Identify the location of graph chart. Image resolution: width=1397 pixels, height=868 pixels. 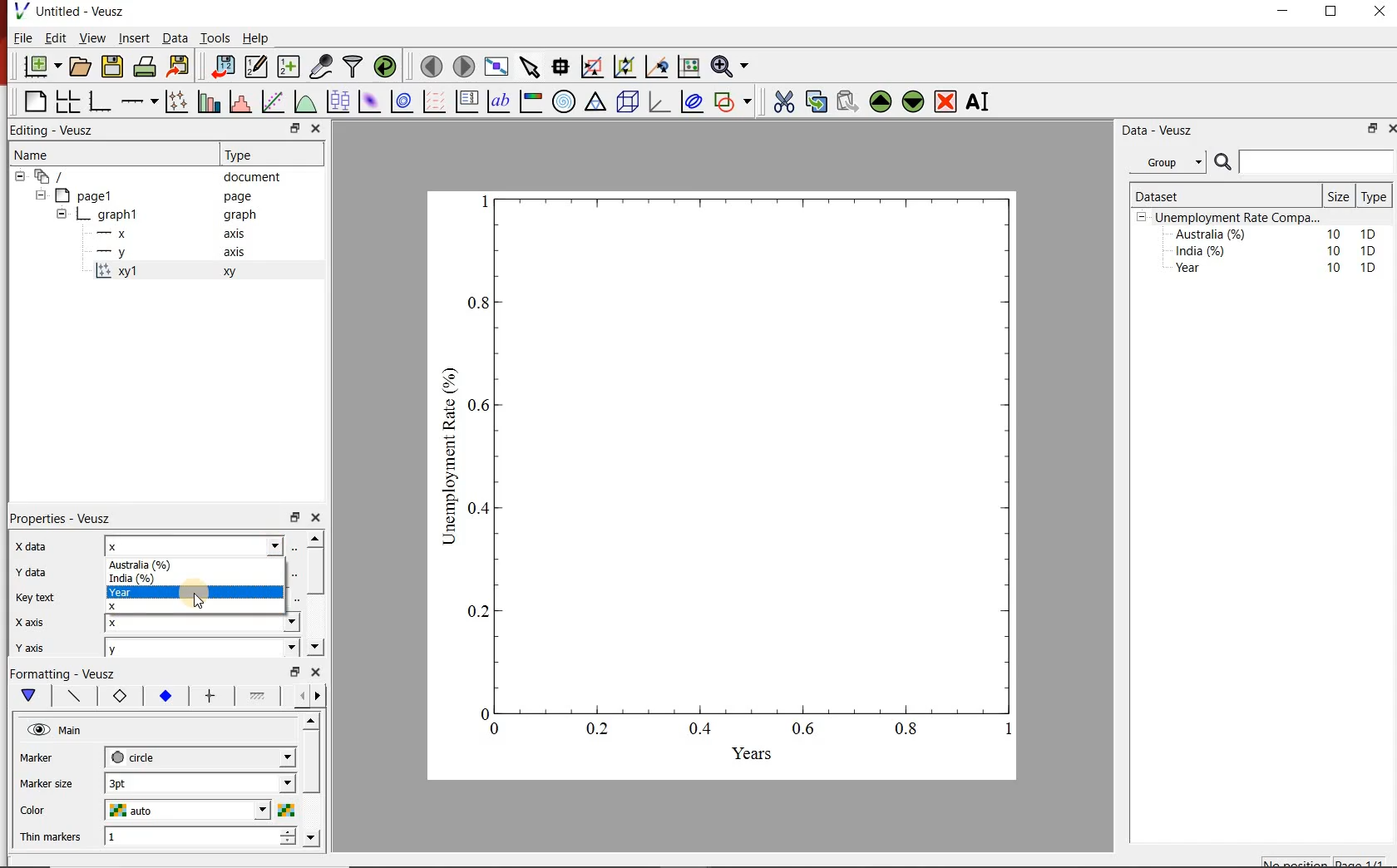
(723, 486).